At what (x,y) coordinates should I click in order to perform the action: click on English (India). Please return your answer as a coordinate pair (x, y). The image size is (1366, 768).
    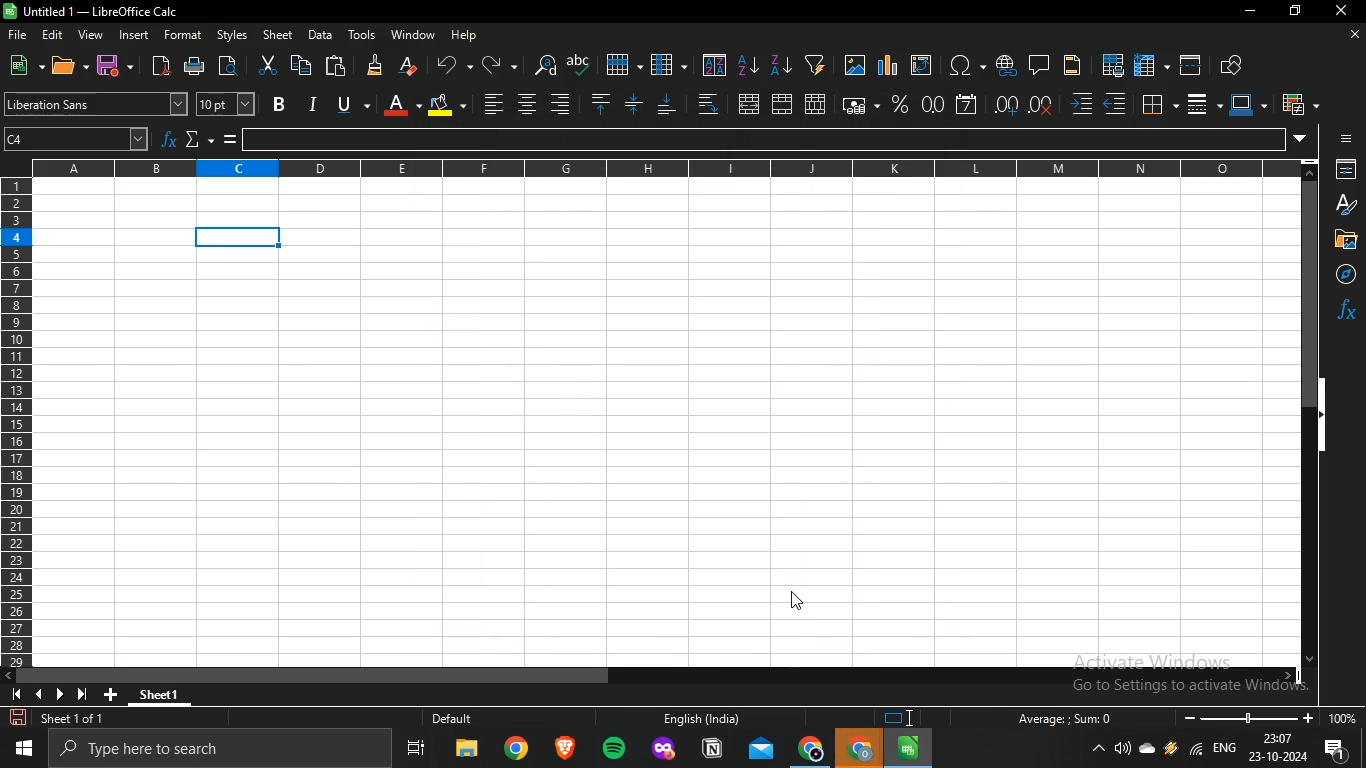
    Looking at the image, I should click on (700, 719).